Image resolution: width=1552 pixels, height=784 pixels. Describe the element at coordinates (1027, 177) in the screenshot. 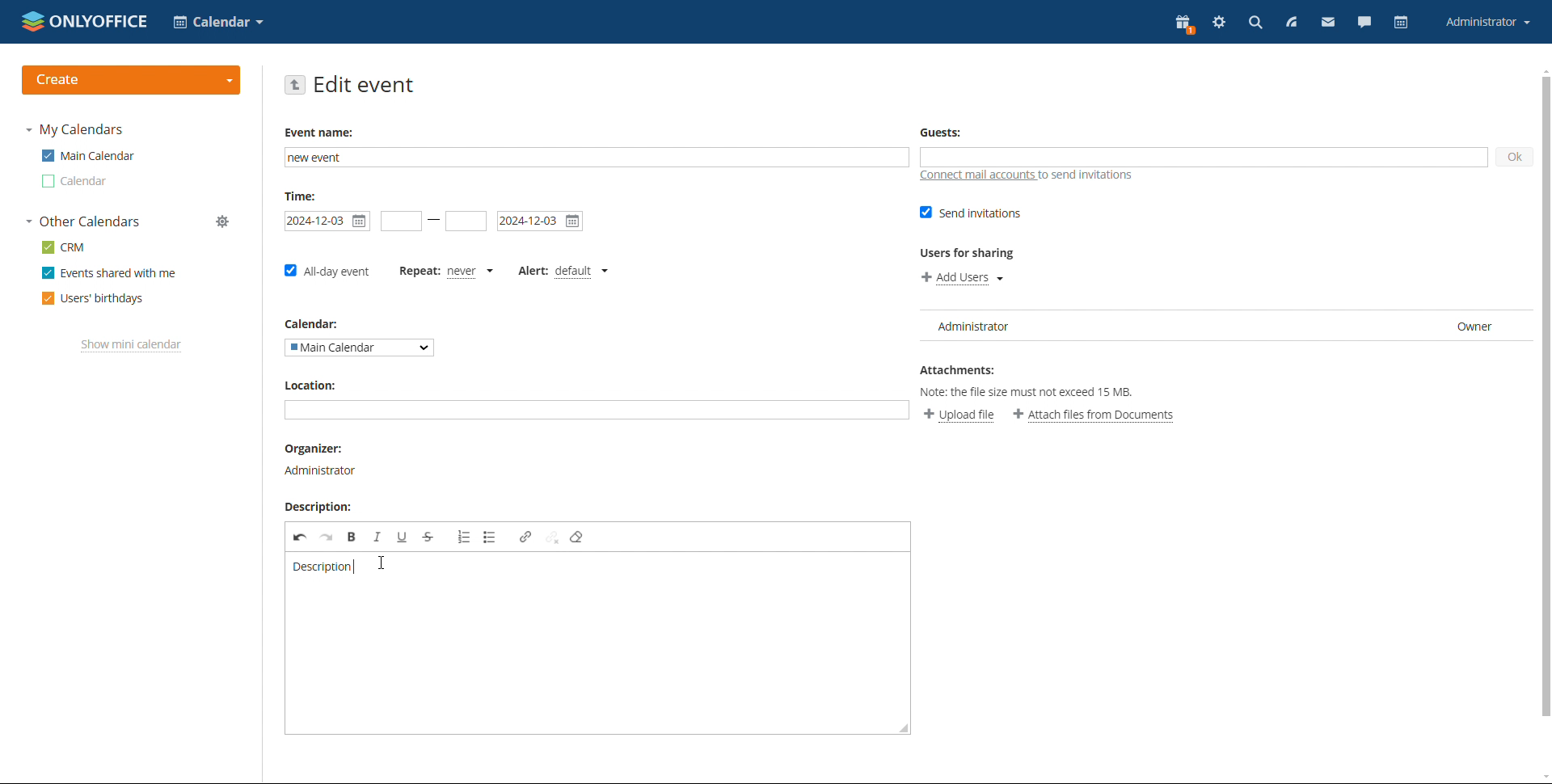

I see `connect mail accounts` at that location.